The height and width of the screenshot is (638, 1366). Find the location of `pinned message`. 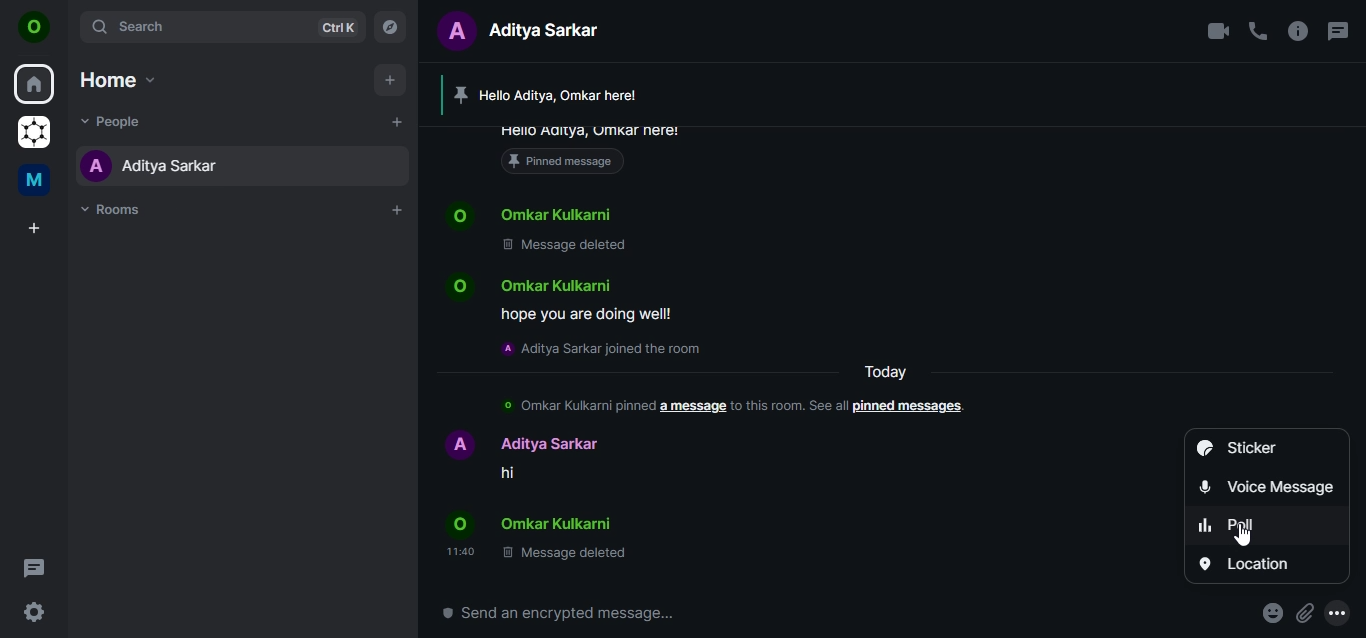

pinned message is located at coordinates (593, 148).